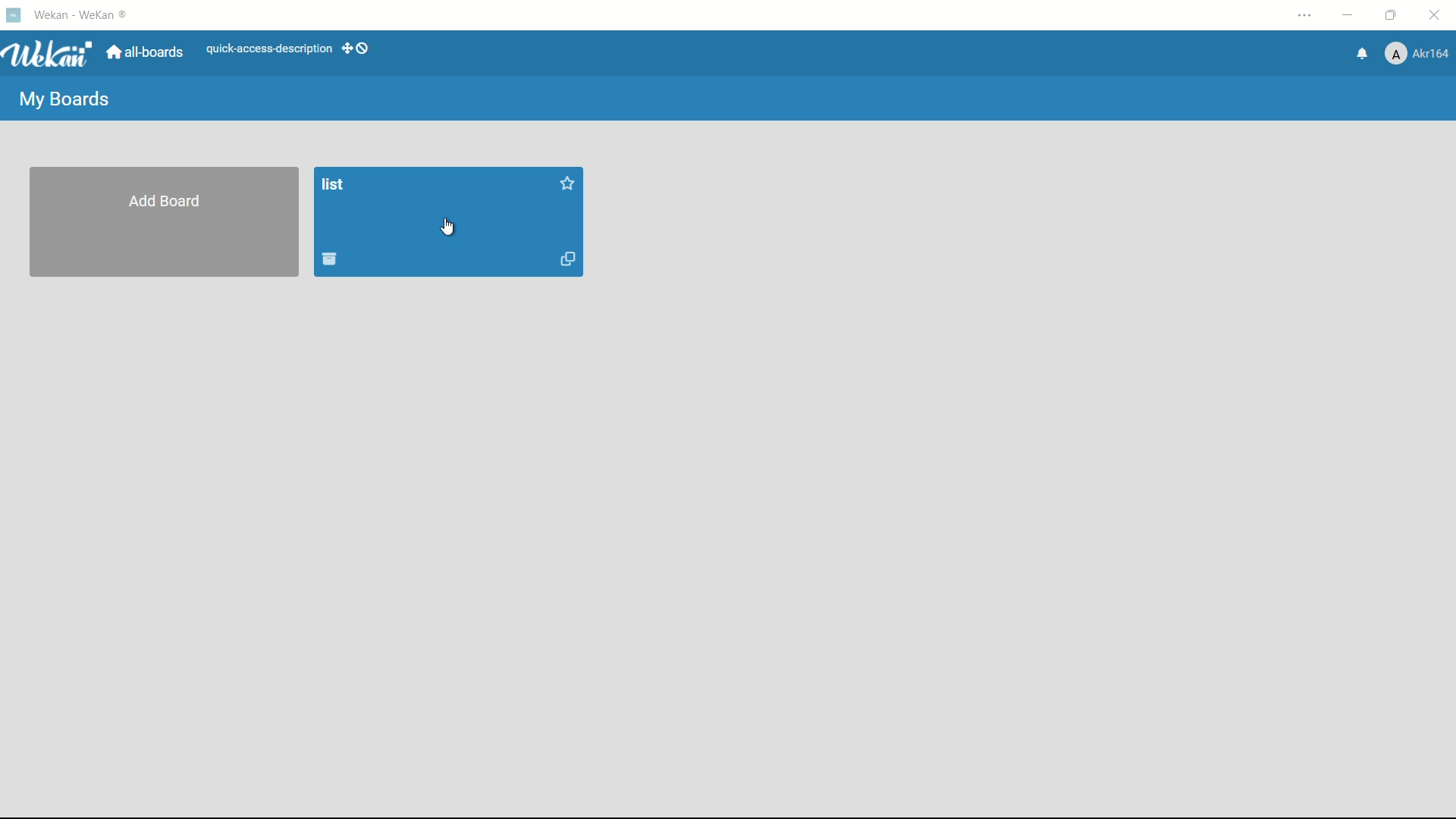 This screenshot has height=819, width=1456. Describe the element at coordinates (358, 48) in the screenshot. I see `show desktop drag handles` at that location.